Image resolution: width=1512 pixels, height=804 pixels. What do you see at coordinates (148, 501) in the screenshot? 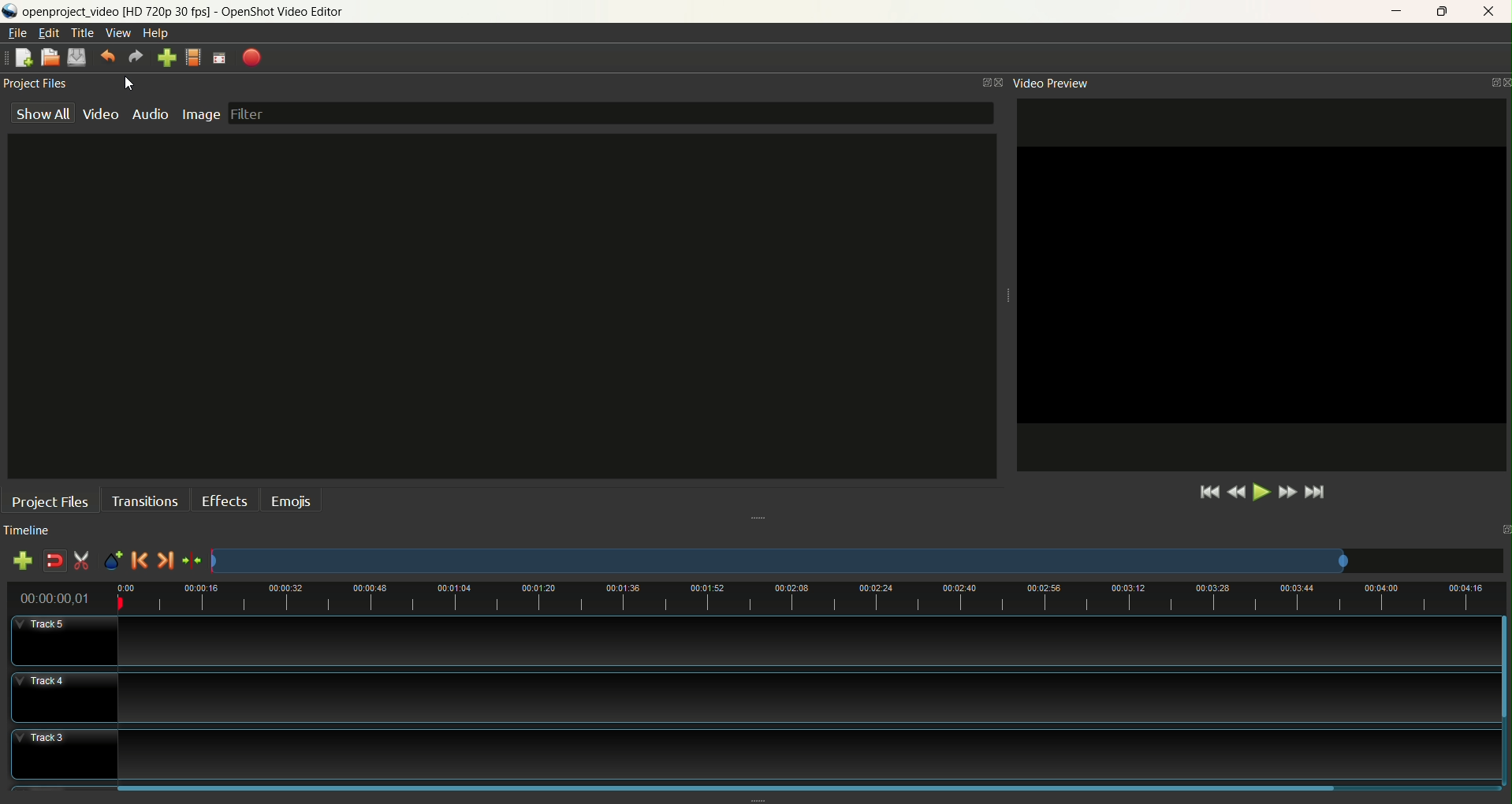
I see `transitions` at bounding box center [148, 501].